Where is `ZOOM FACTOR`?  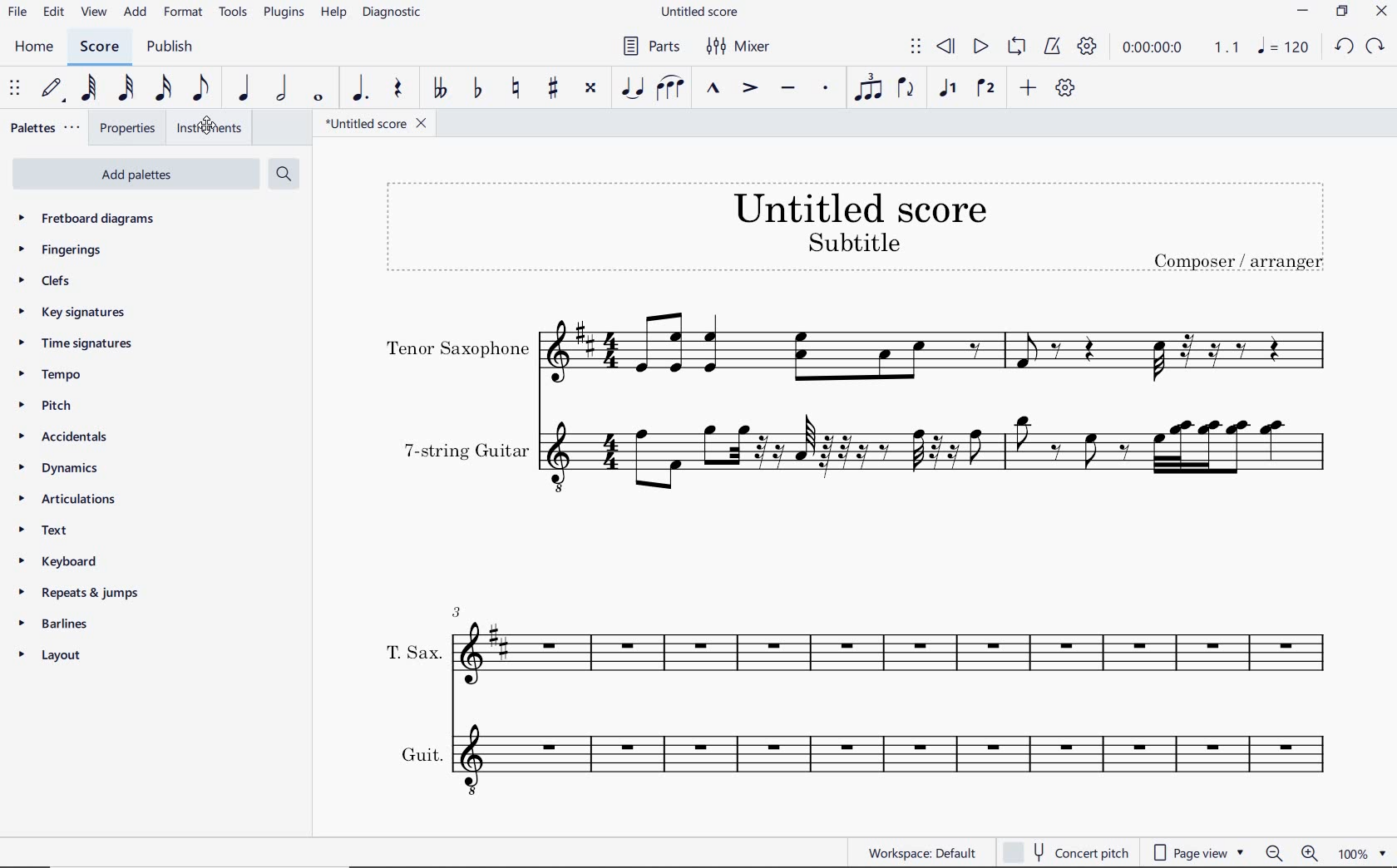
ZOOM FACTOR is located at coordinates (1361, 852).